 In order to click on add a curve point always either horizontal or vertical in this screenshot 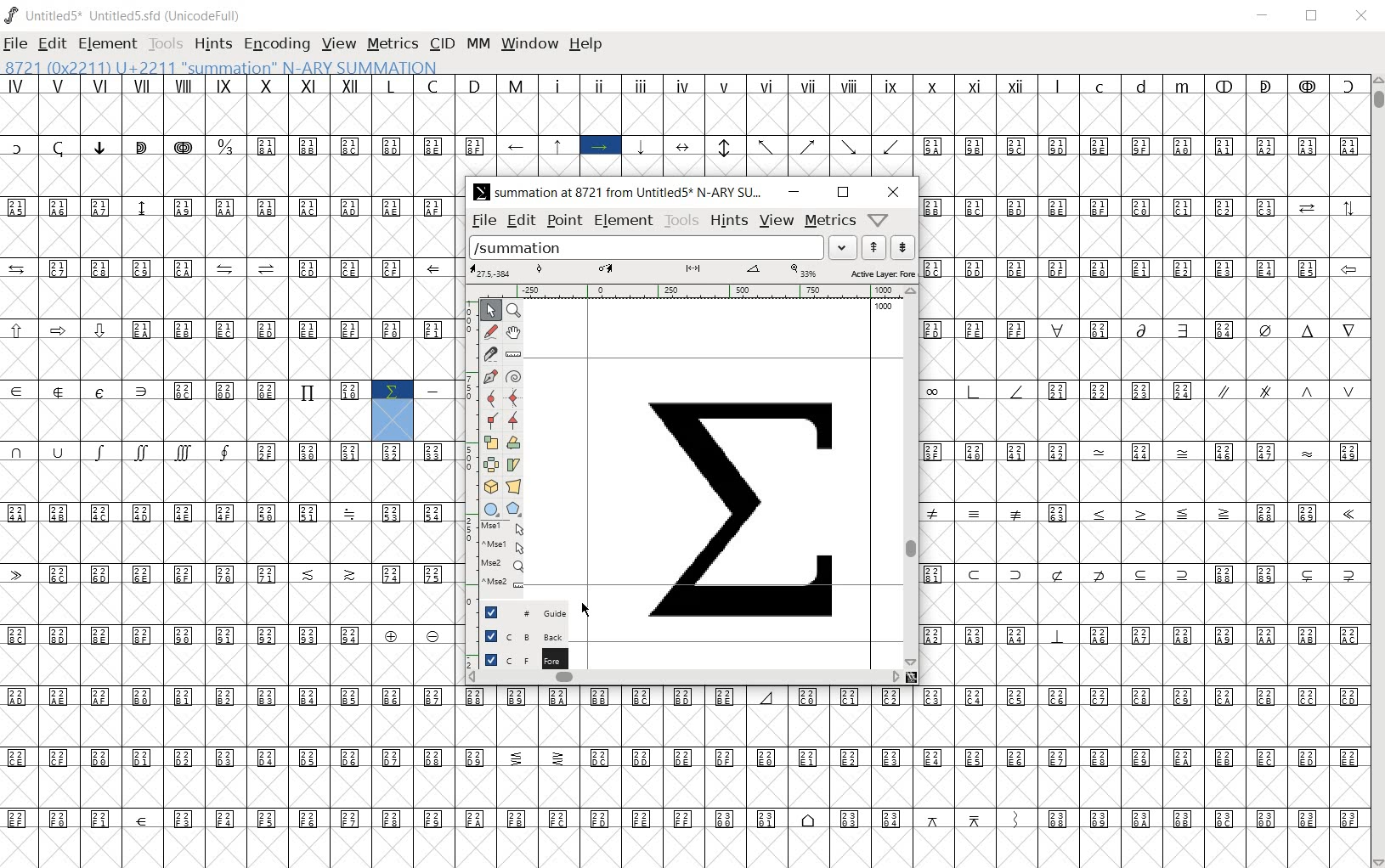, I will do `click(490, 397)`.